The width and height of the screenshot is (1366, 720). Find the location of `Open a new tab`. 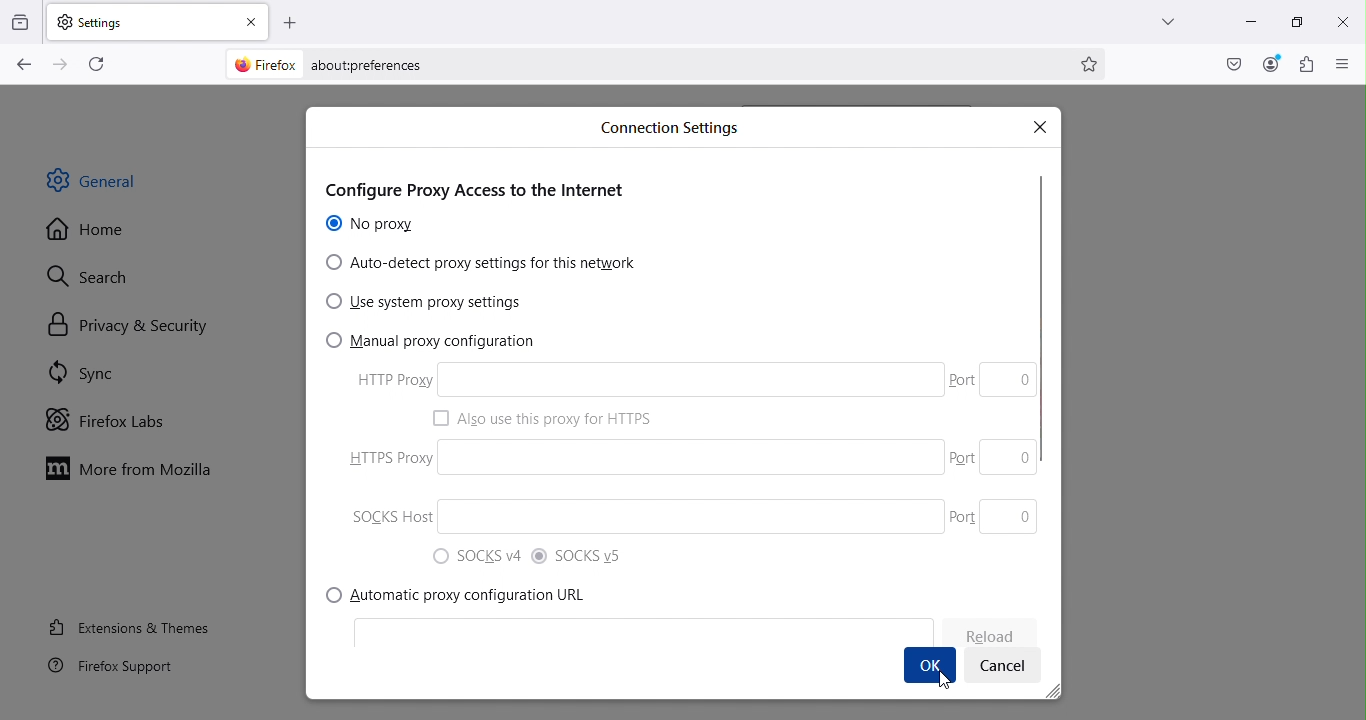

Open a new tab is located at coordinates (291, 20).